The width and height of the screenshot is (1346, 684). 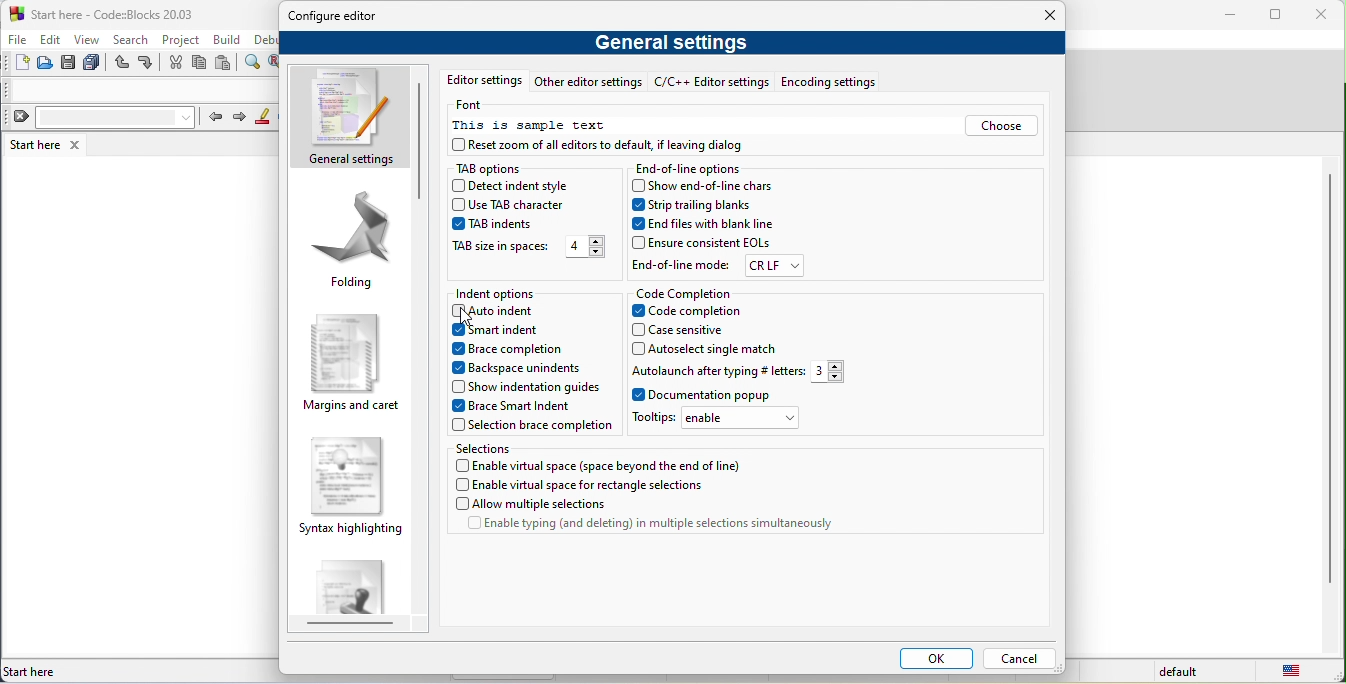 What do you see at coordinates (706, 187) in the screenshot?
I see `show end of line chars` at bounding box center [706, 187].